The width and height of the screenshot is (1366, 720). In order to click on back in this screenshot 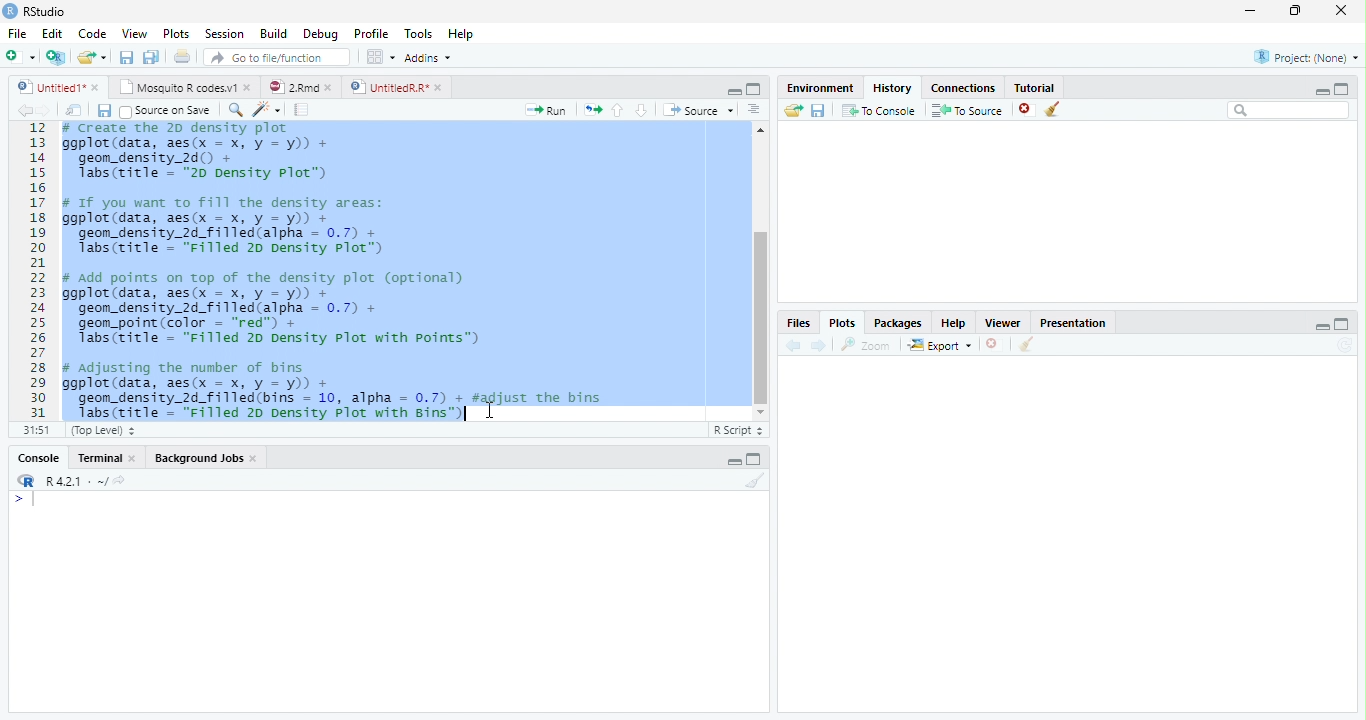, I will do `click(790, 345)`.